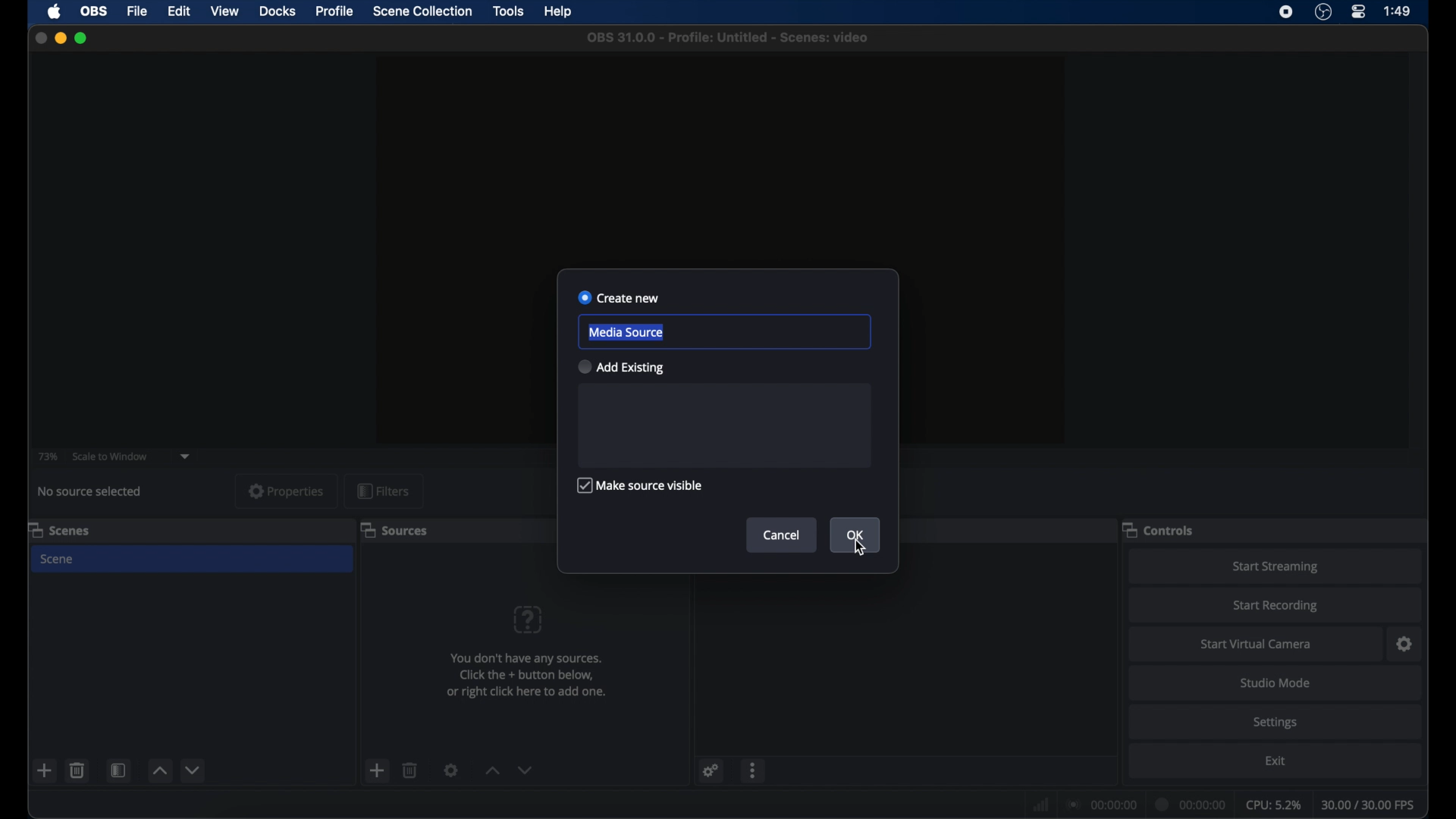 The image size is (1456, 819). Describe the element at coordinates (47, 457) in the screenshot. I see `73%` at that location.